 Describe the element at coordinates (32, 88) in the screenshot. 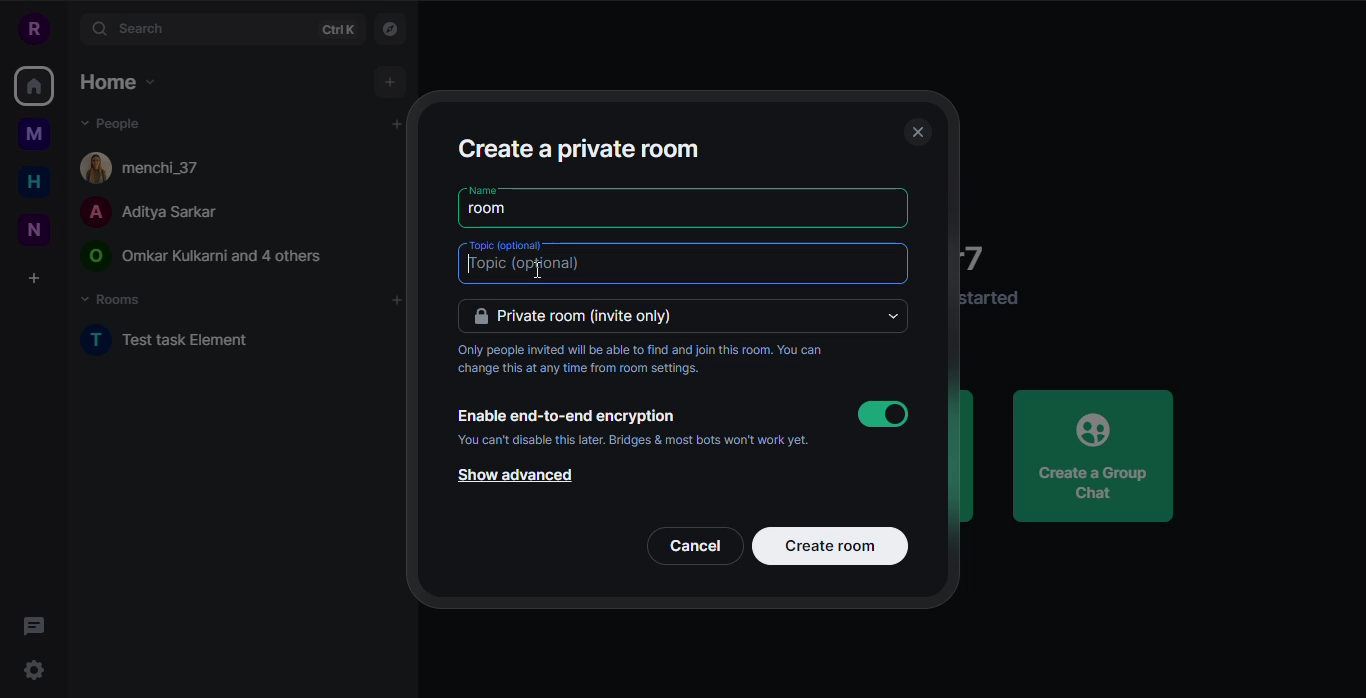

I see `home` at that location.